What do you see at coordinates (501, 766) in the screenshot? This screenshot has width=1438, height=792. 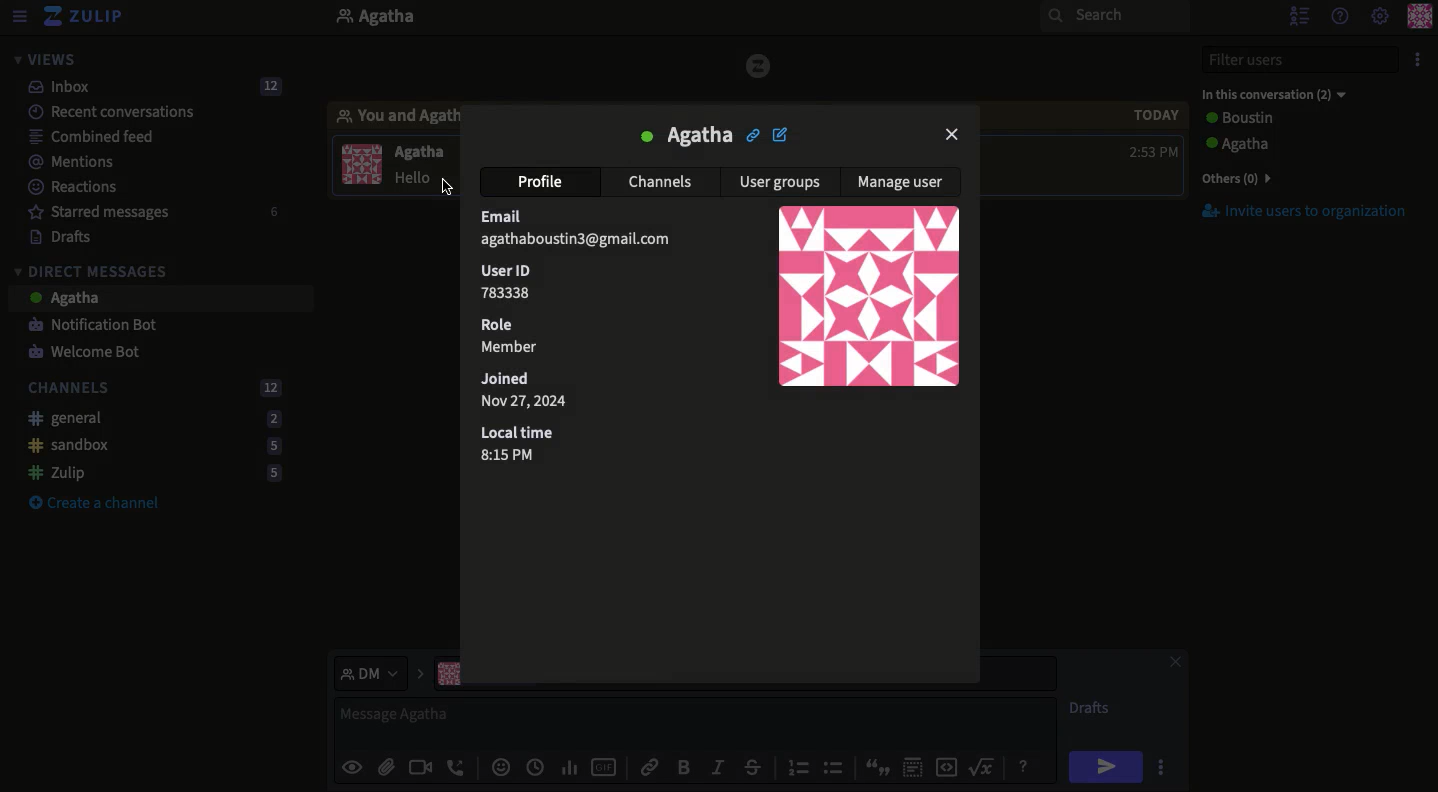 I see `Reaction` at bounding box center [501, 766].